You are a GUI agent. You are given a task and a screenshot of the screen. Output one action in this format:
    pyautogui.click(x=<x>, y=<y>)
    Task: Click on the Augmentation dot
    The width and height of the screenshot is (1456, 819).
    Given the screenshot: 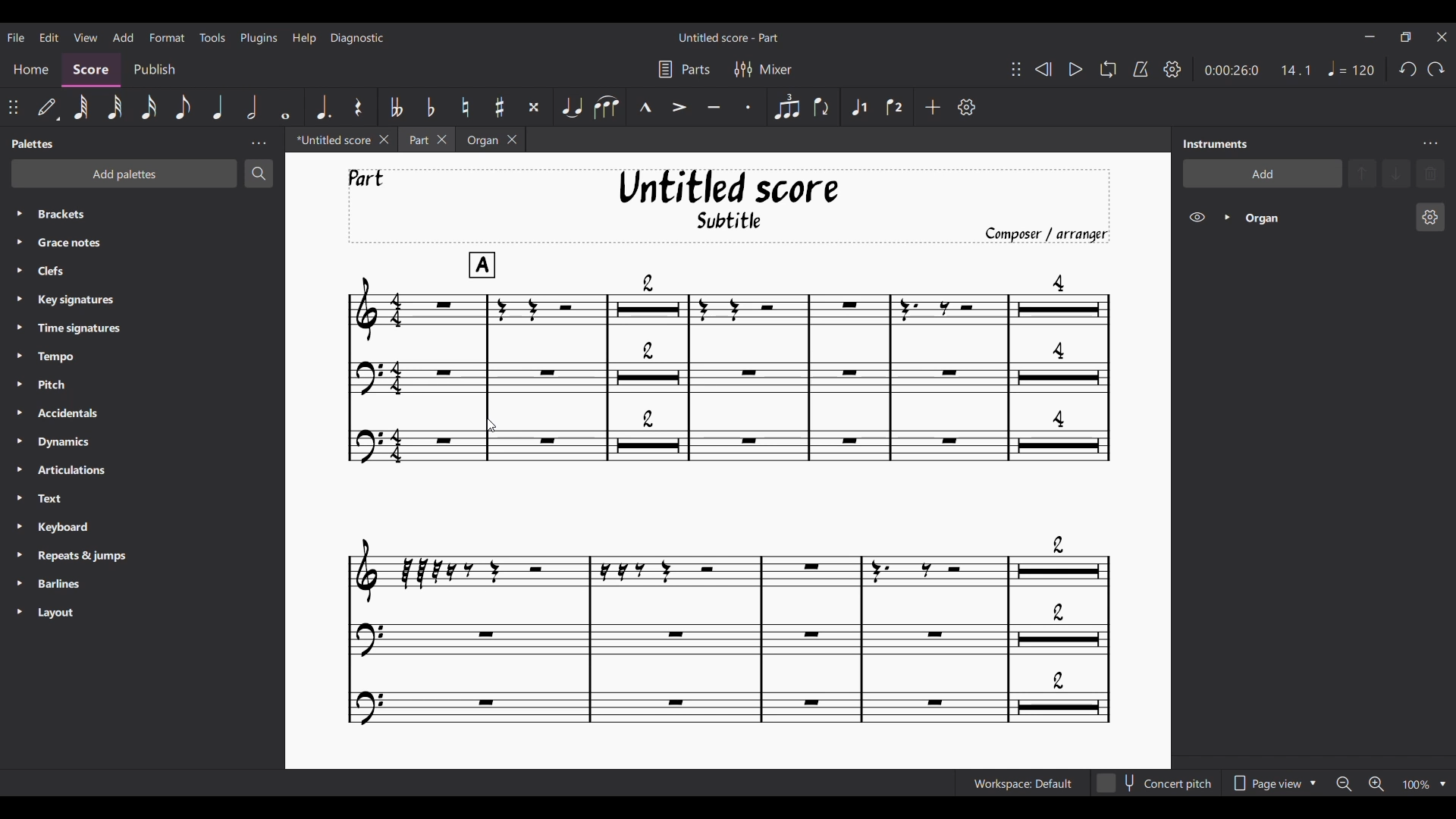 What is the action you would take?
    pyautogui.click(x=323, y=108)
    